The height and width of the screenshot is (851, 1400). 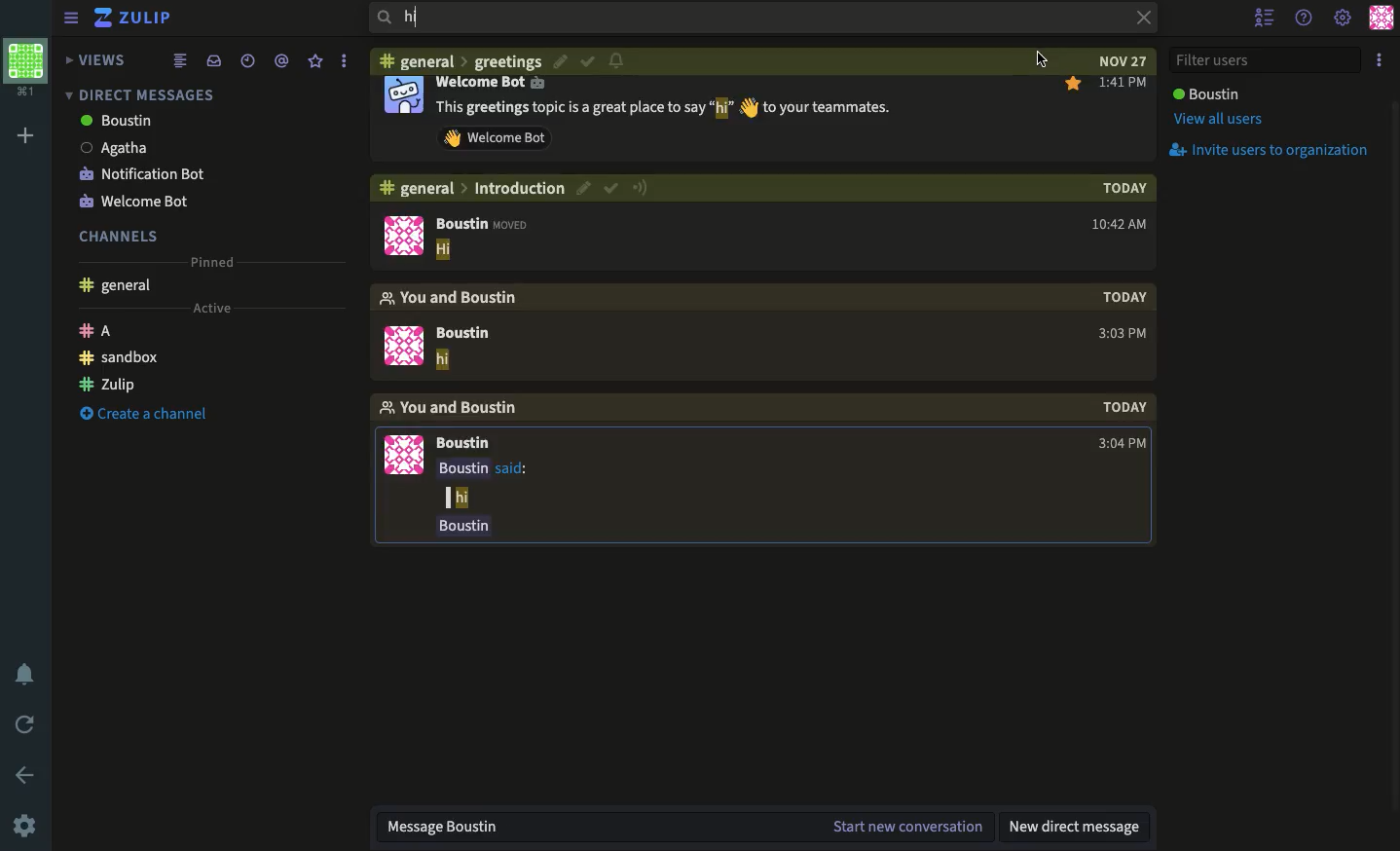 What do you see at coordinates (24, 136) in the screenshot?
I see `Add` at bounding box center [24, 136].